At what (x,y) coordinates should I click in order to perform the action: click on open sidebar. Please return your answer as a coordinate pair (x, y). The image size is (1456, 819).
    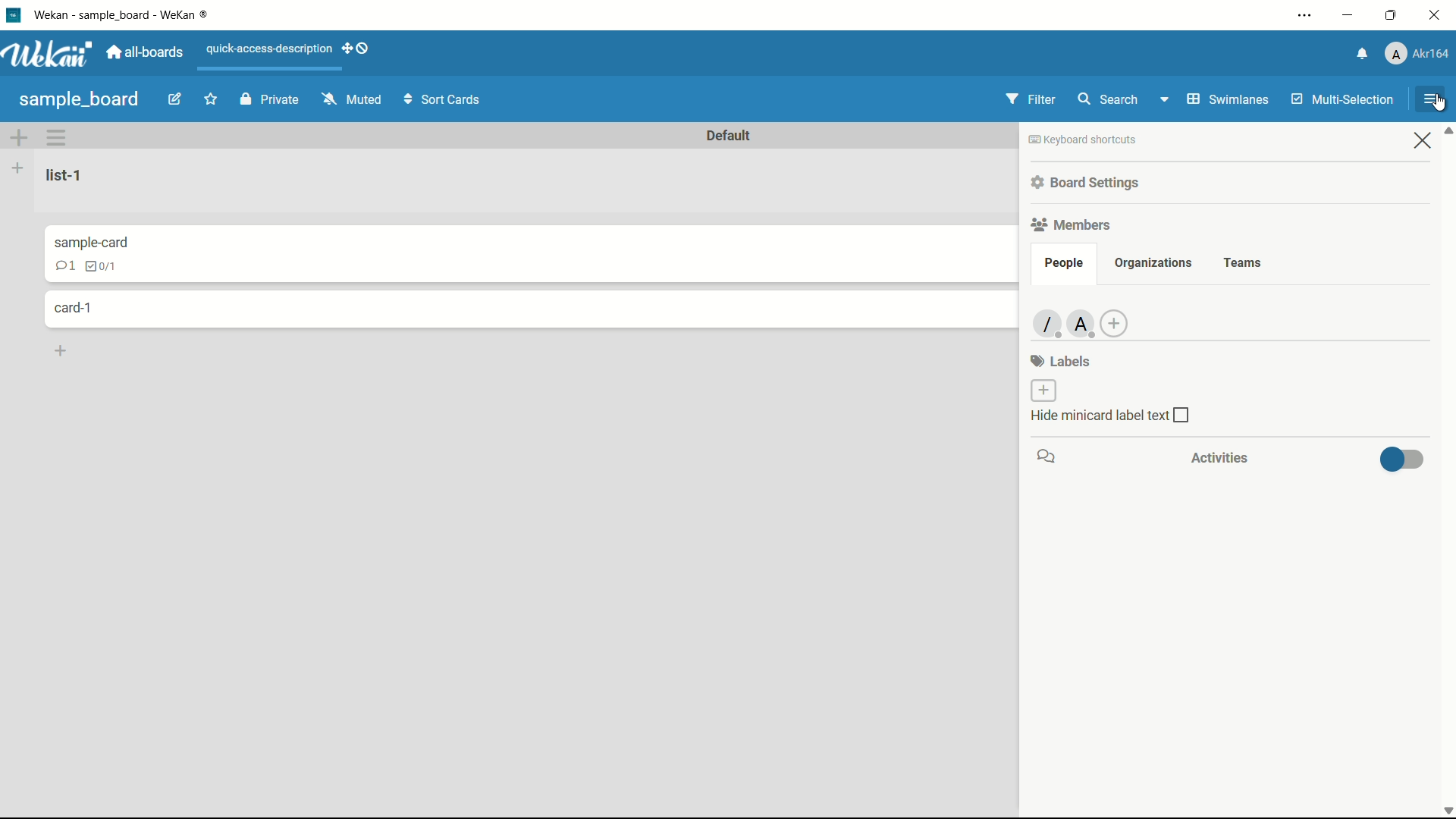
    Looking at the image, I should click on (1432, 100).